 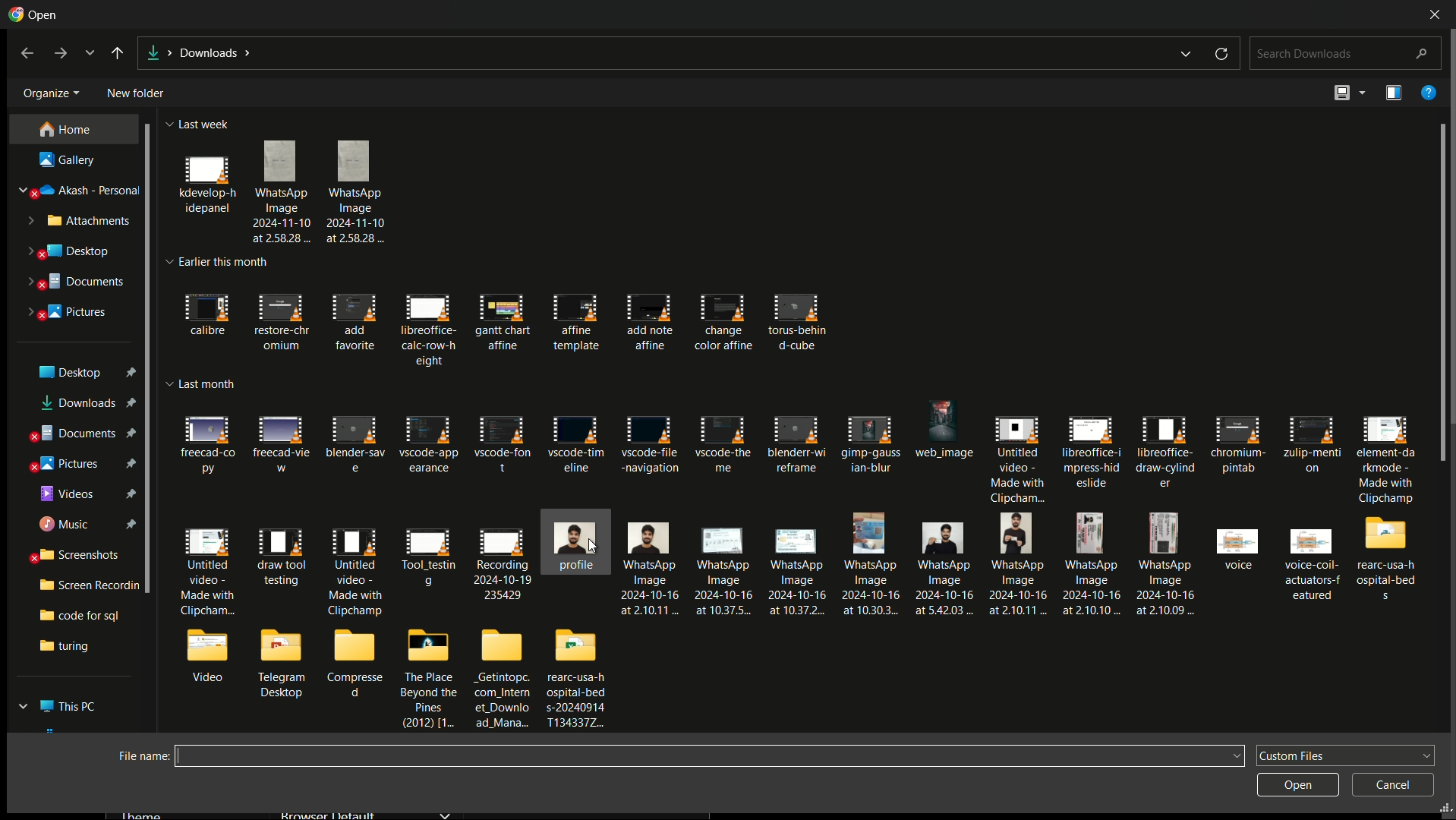 I want to click on change view, so click(x=1341, y=93).